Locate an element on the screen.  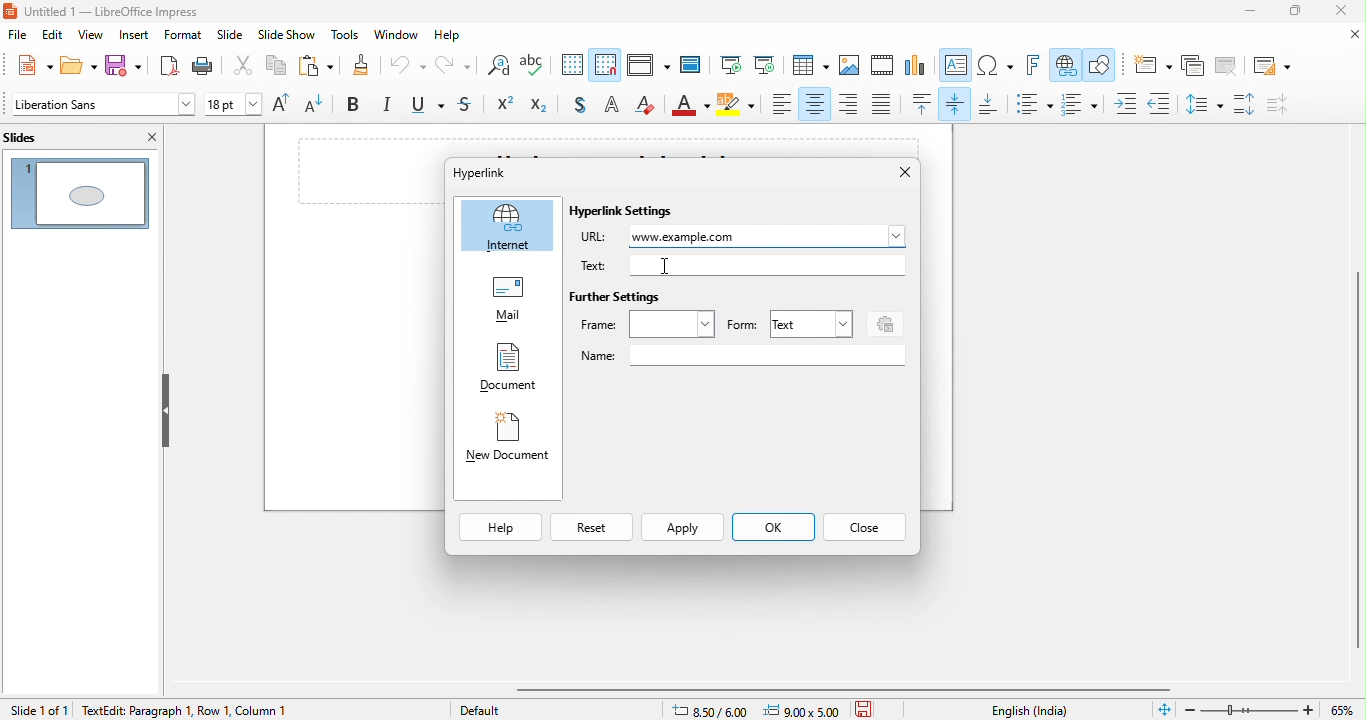
fontwork text is located at coordinates (1036, 66).